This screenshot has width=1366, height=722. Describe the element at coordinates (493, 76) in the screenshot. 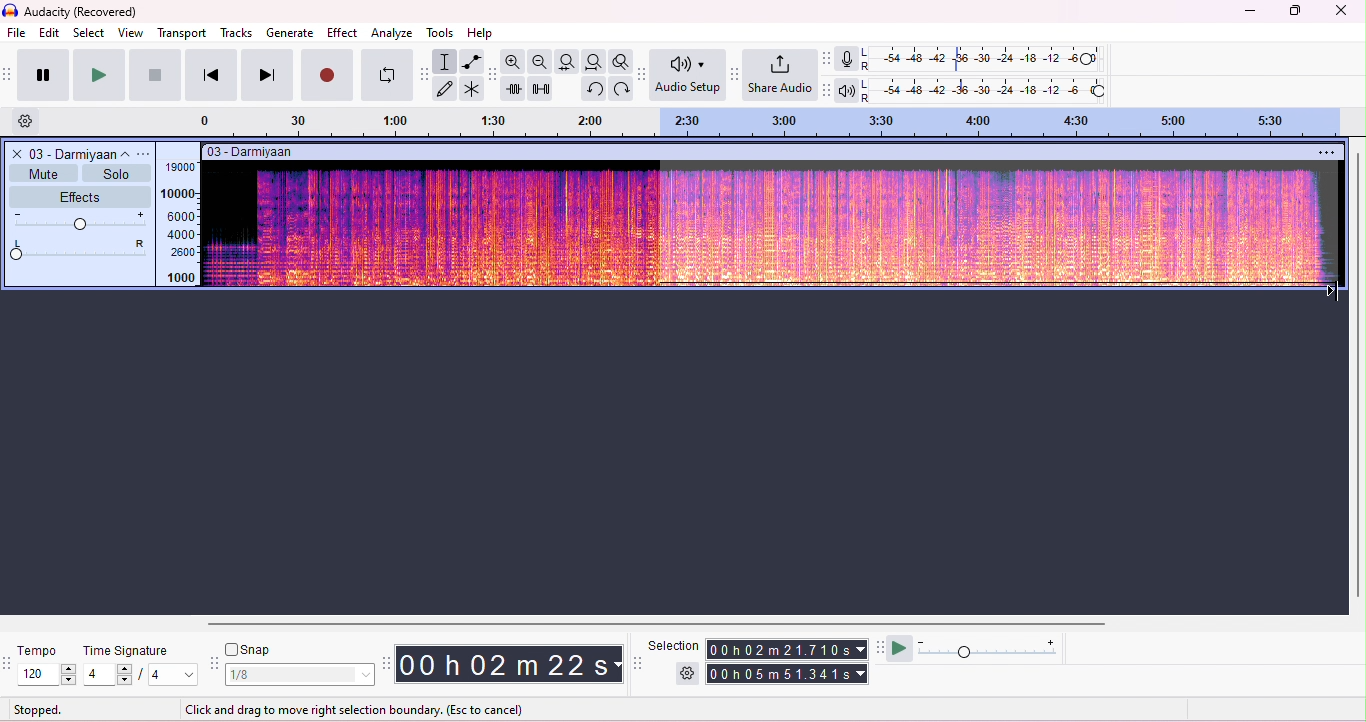

I see `edit tool bar` at that location.